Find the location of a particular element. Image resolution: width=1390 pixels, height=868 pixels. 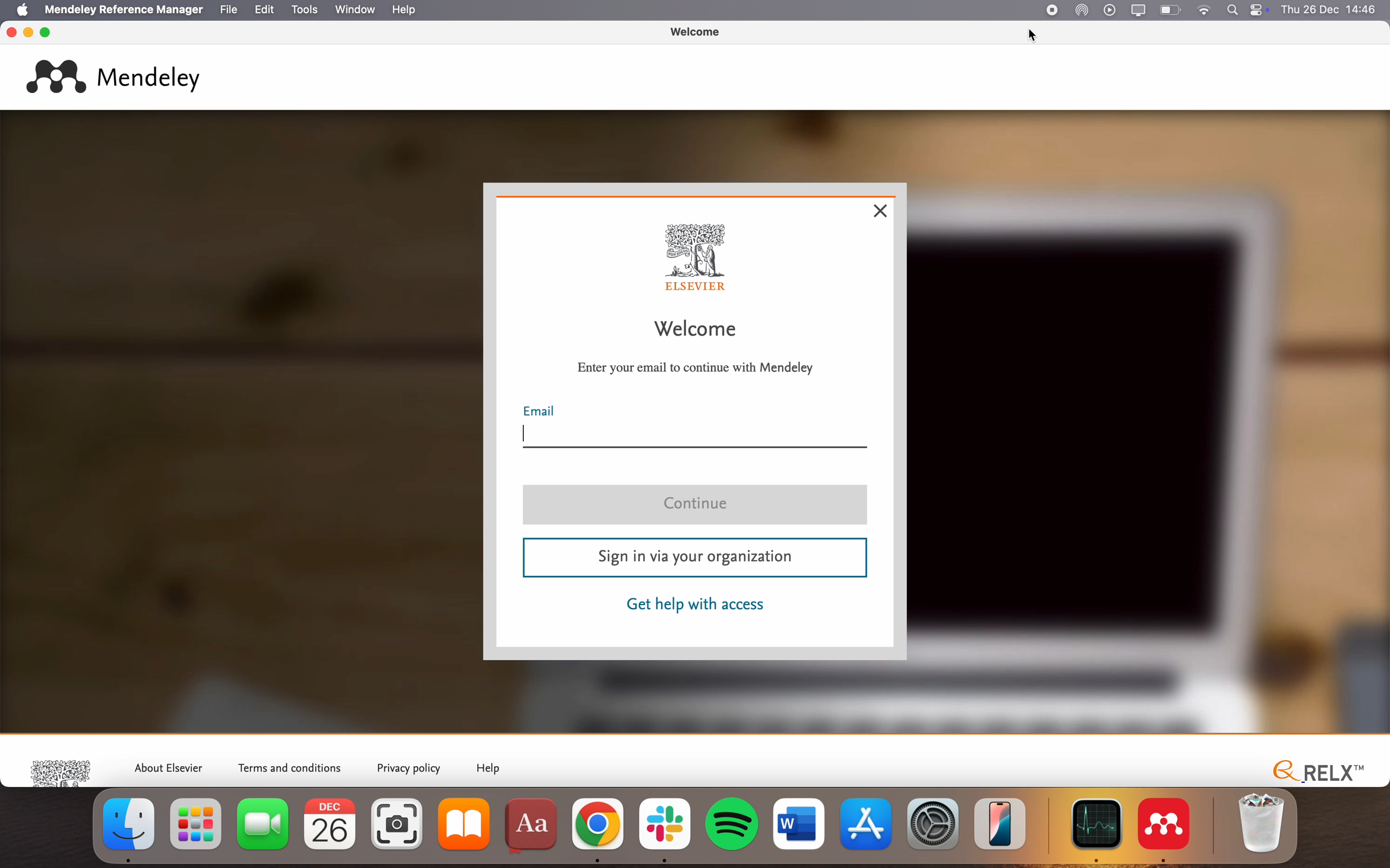

activity monitor is located at coordinates (1098, 830).